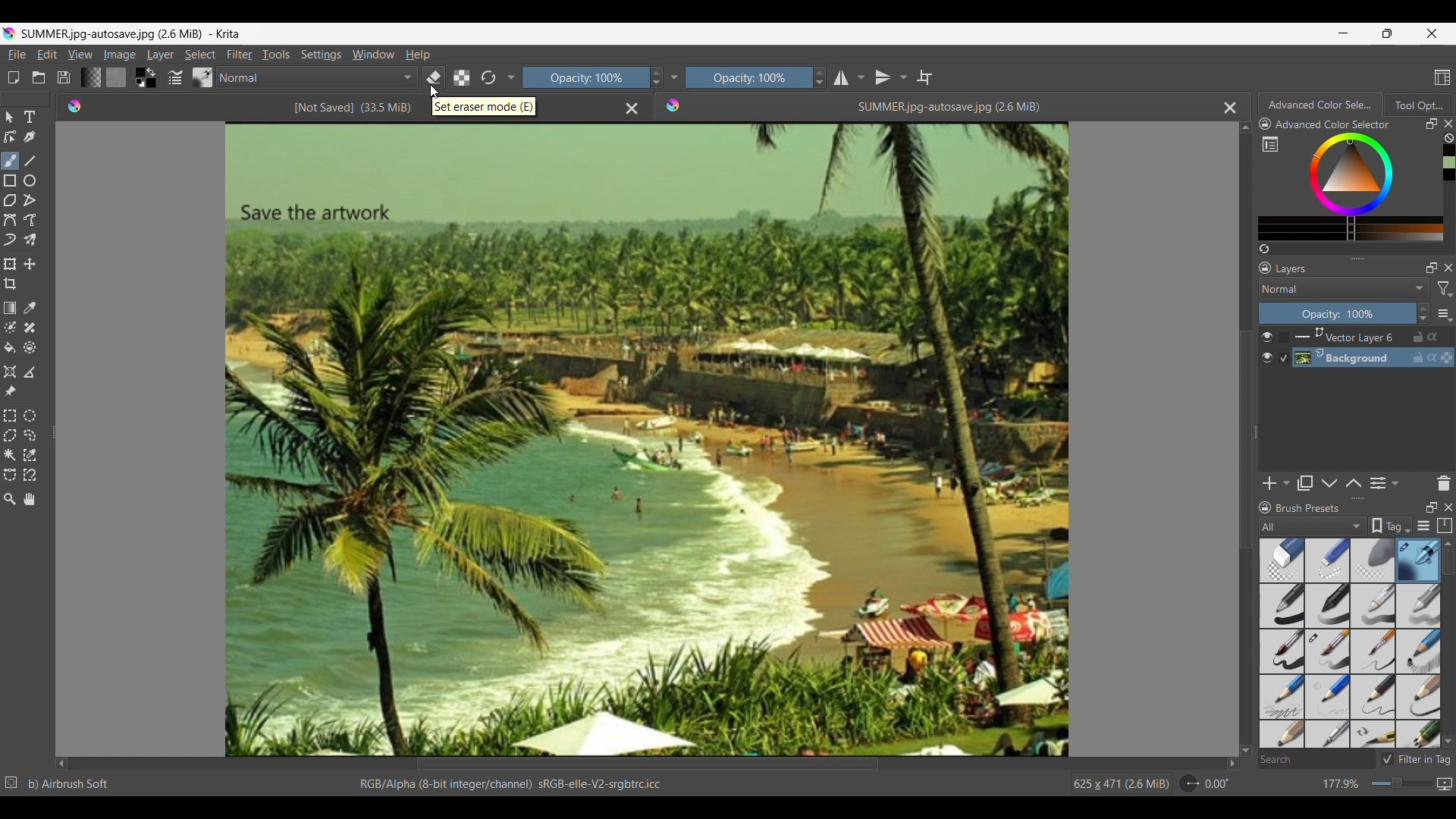 This screenshot has height=819, width=1456. I want to click on Contiguous selection tool, so click(10, 456).